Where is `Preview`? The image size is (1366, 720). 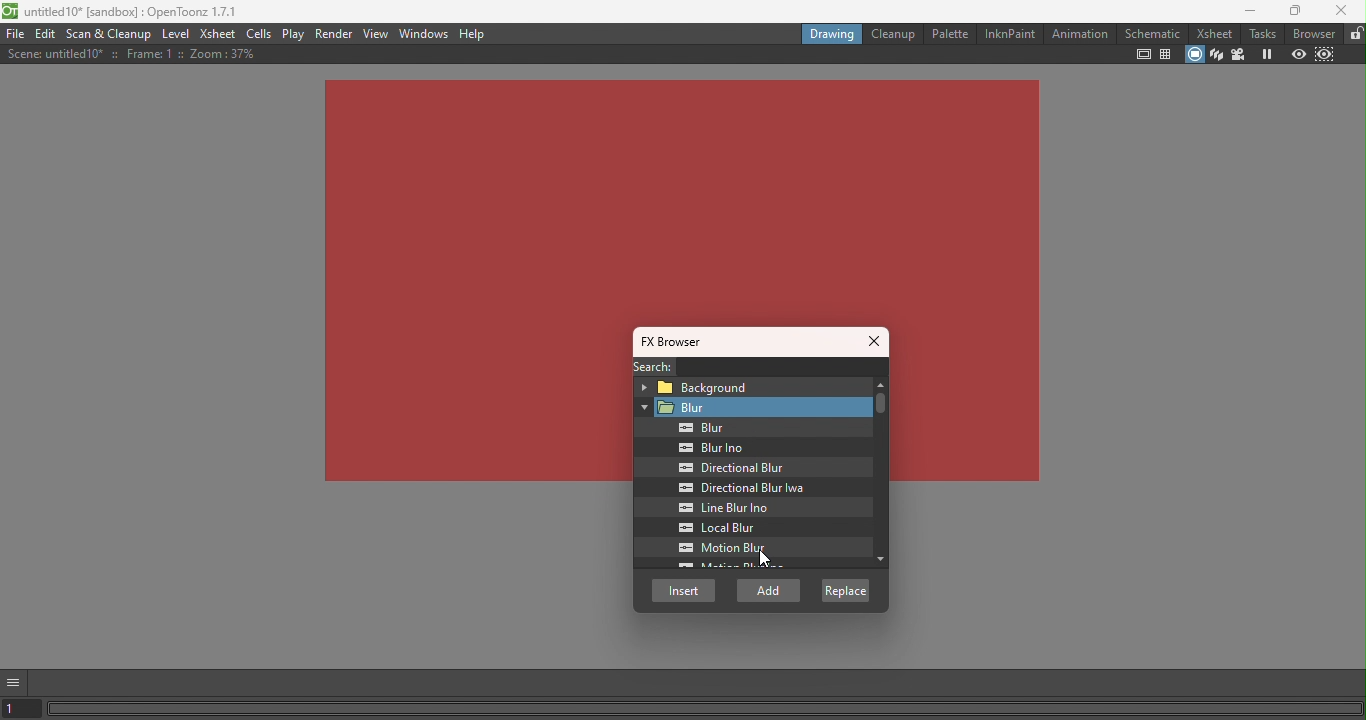 Preview is located at coordinates (1298, 53).